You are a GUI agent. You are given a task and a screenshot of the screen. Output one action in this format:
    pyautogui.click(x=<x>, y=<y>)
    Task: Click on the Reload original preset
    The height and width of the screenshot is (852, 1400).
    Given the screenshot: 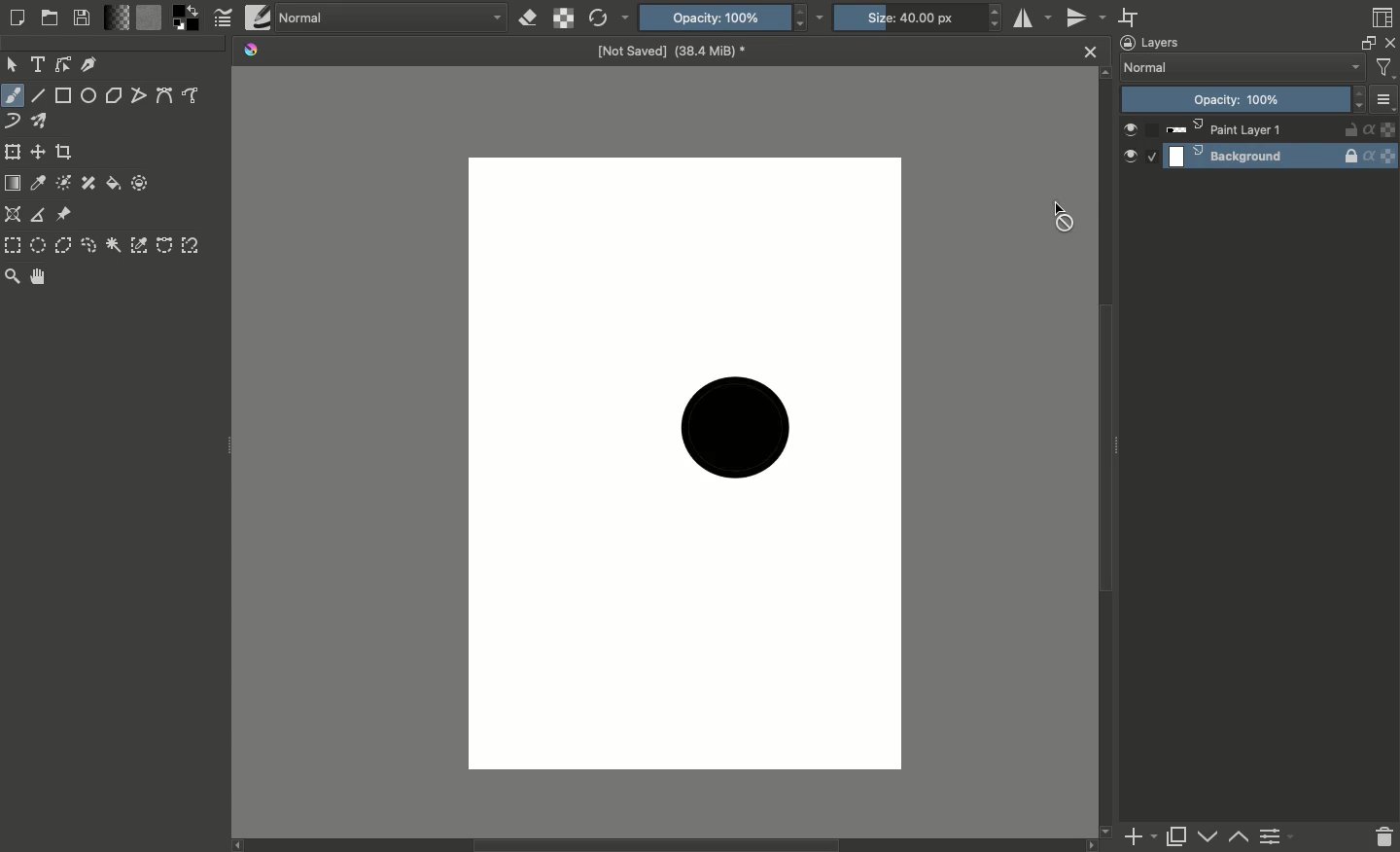 What is the action you would take?
    pyautogui.click(x=607, y=19)
    